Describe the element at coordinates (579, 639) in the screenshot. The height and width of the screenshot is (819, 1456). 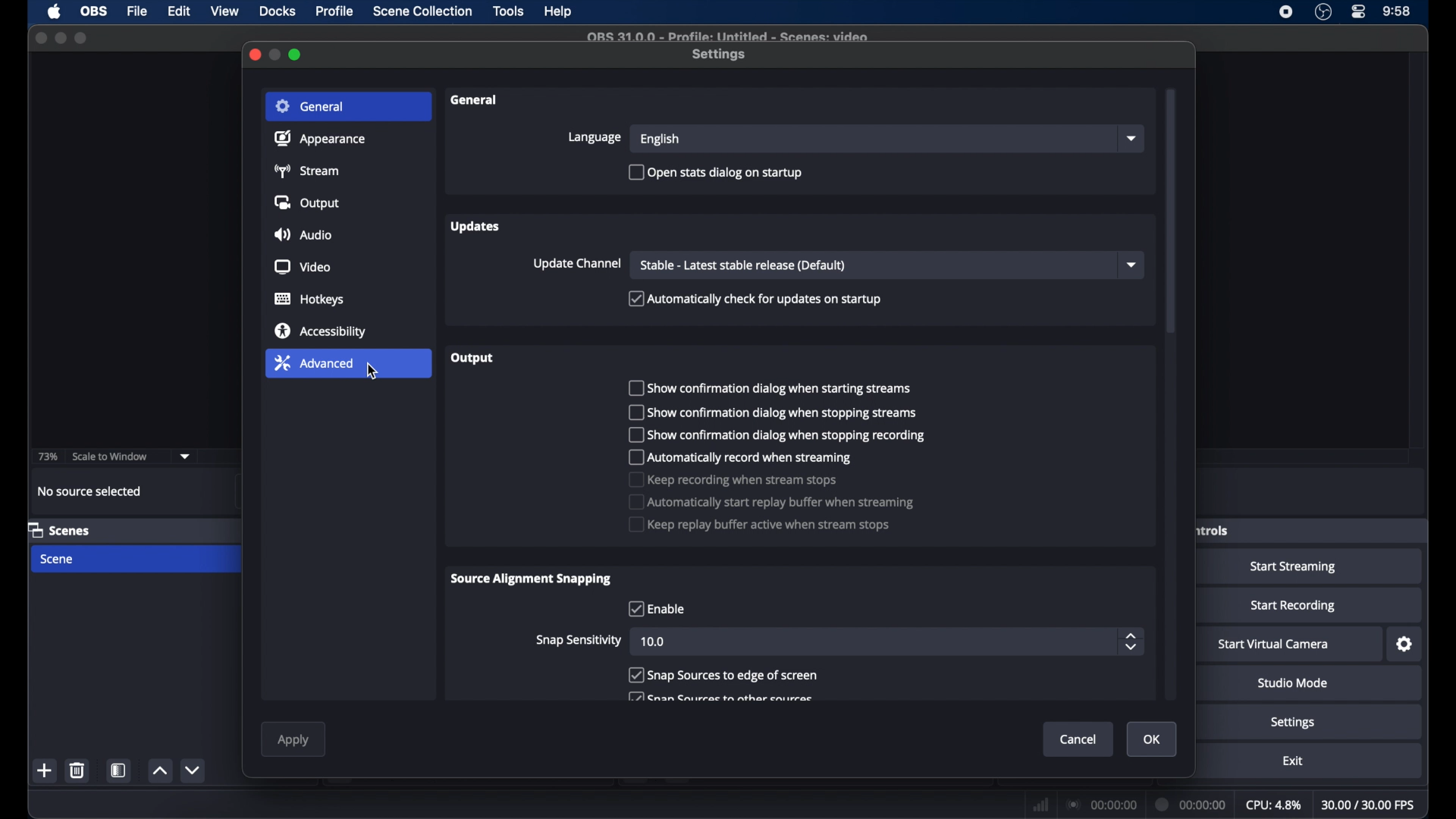
I see `snap sensitivity` at that location.